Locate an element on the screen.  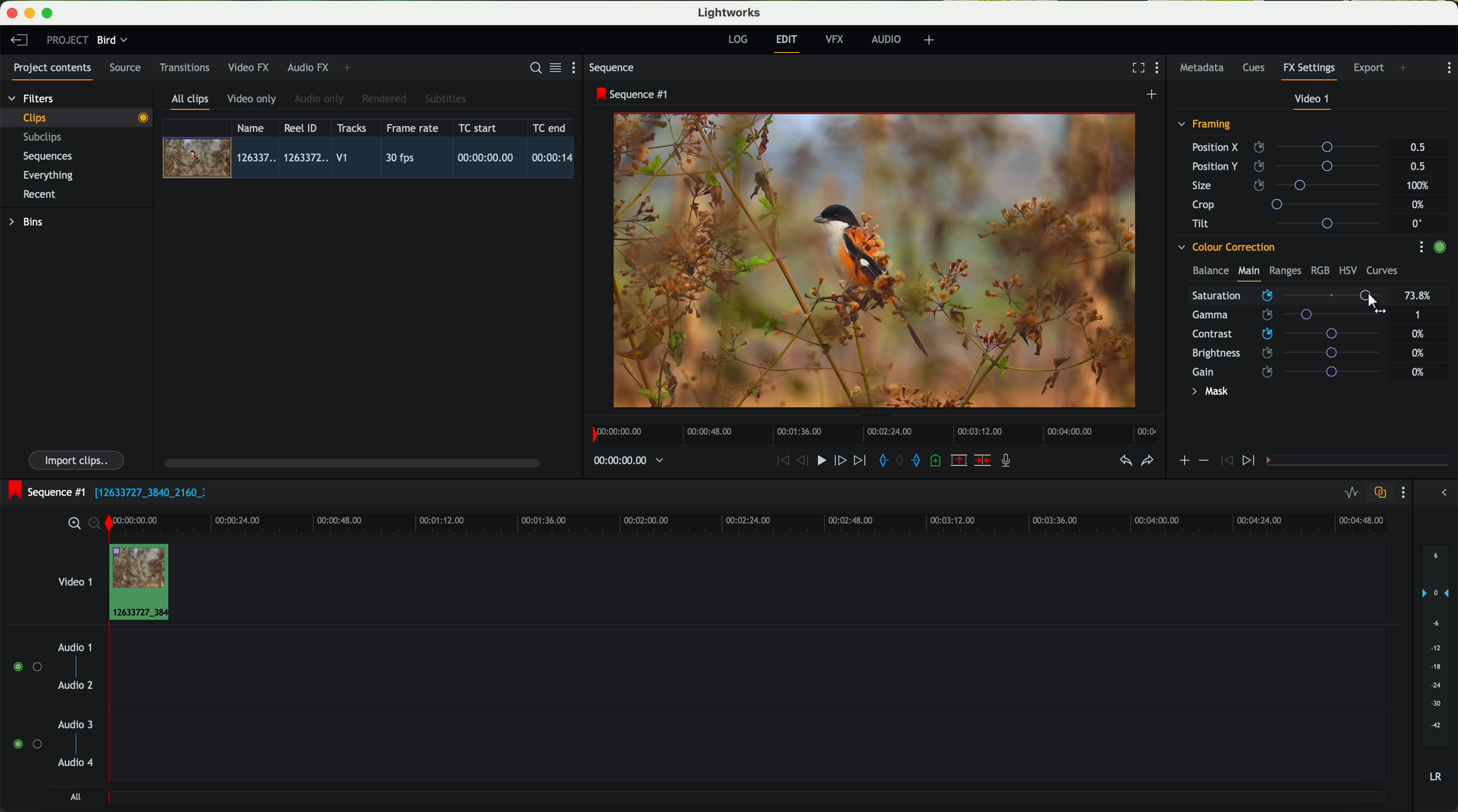
minimize program is located at coordinates (32, 14).